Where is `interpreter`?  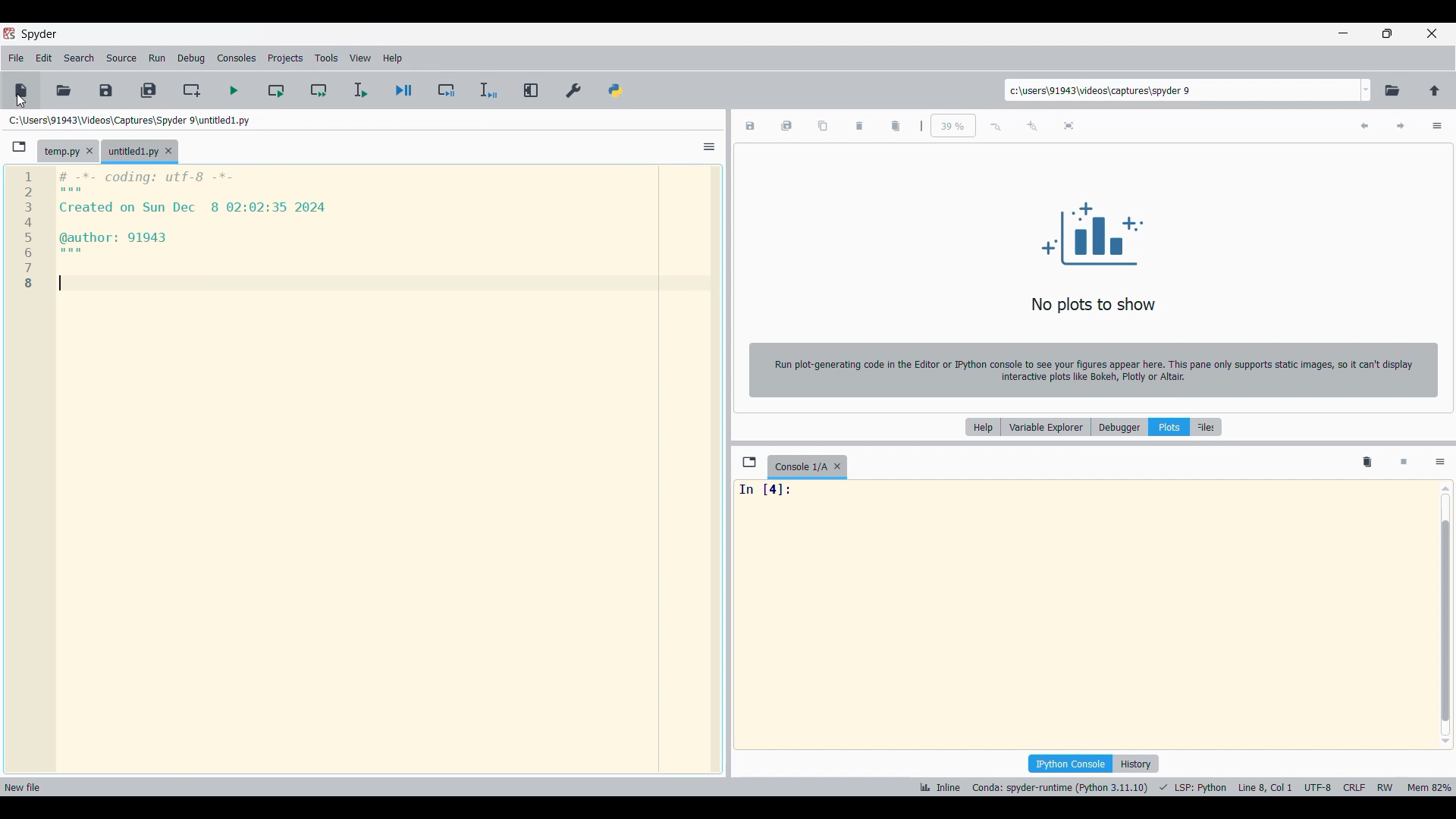
interpreter is located at coordinates (1053, 787).